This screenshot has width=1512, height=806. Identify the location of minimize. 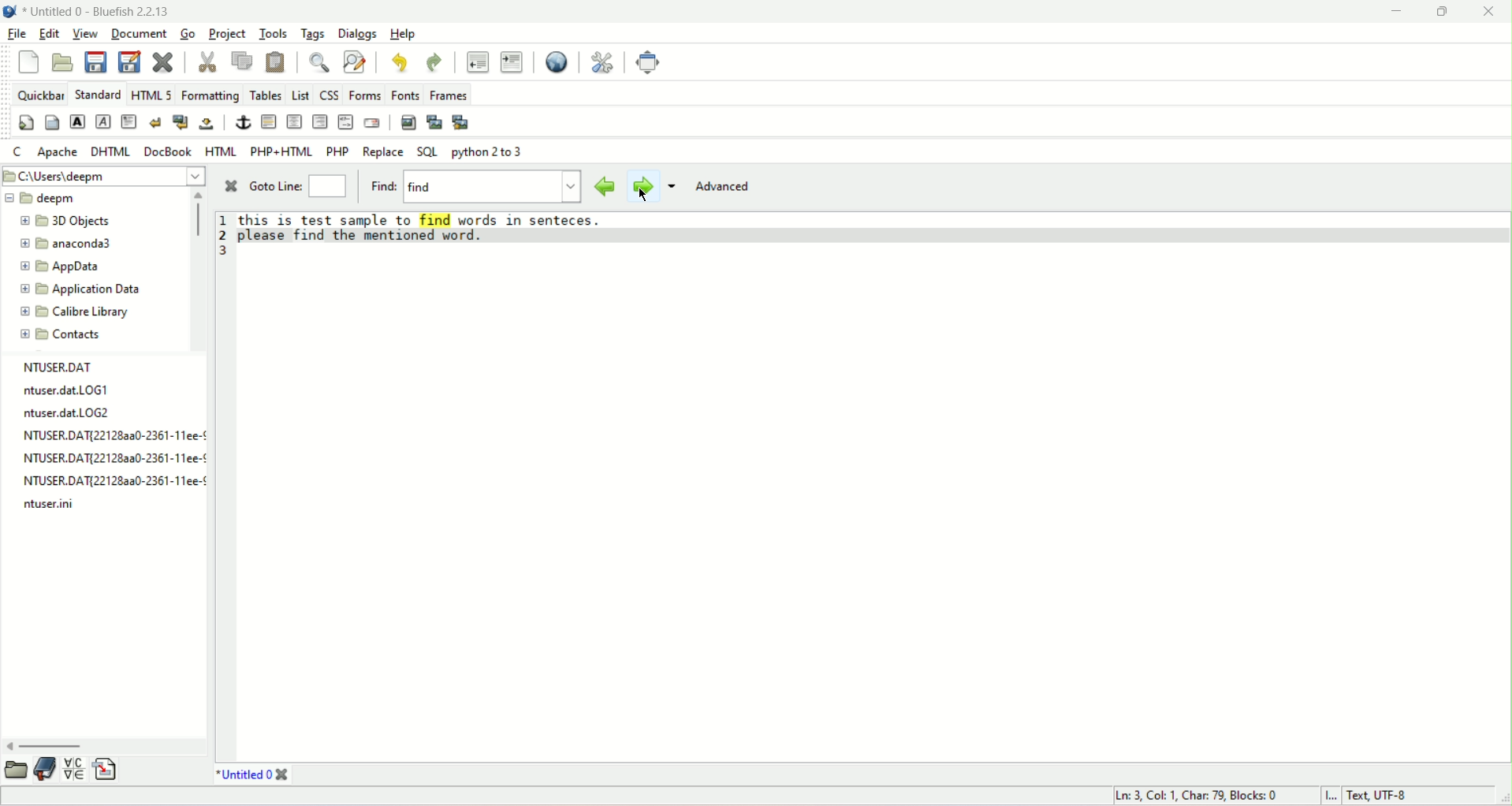
(1395, 12).